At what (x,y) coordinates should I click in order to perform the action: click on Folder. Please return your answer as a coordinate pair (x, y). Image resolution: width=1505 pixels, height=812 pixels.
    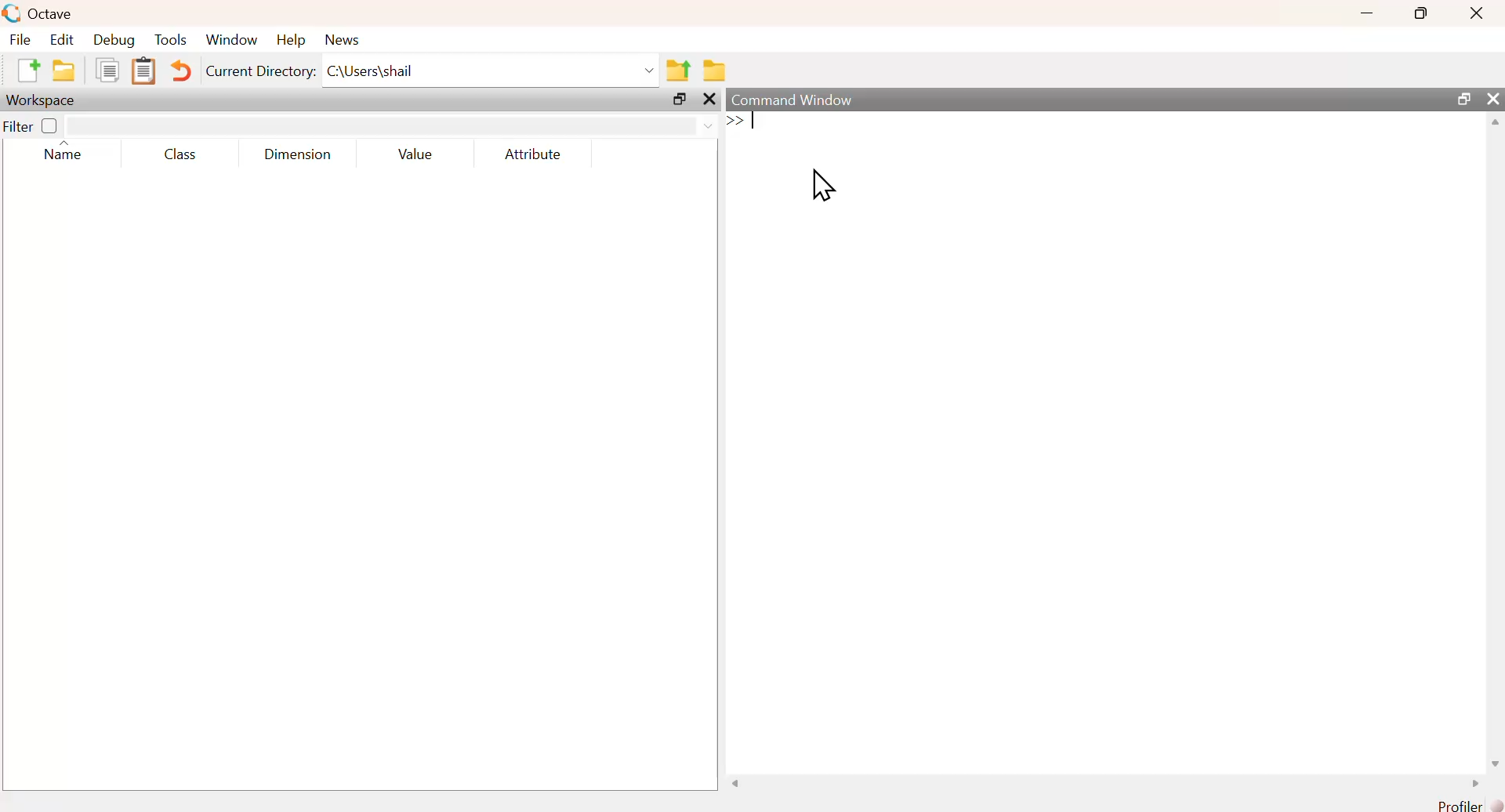
    Looking at the image, I should click on (713, 71).